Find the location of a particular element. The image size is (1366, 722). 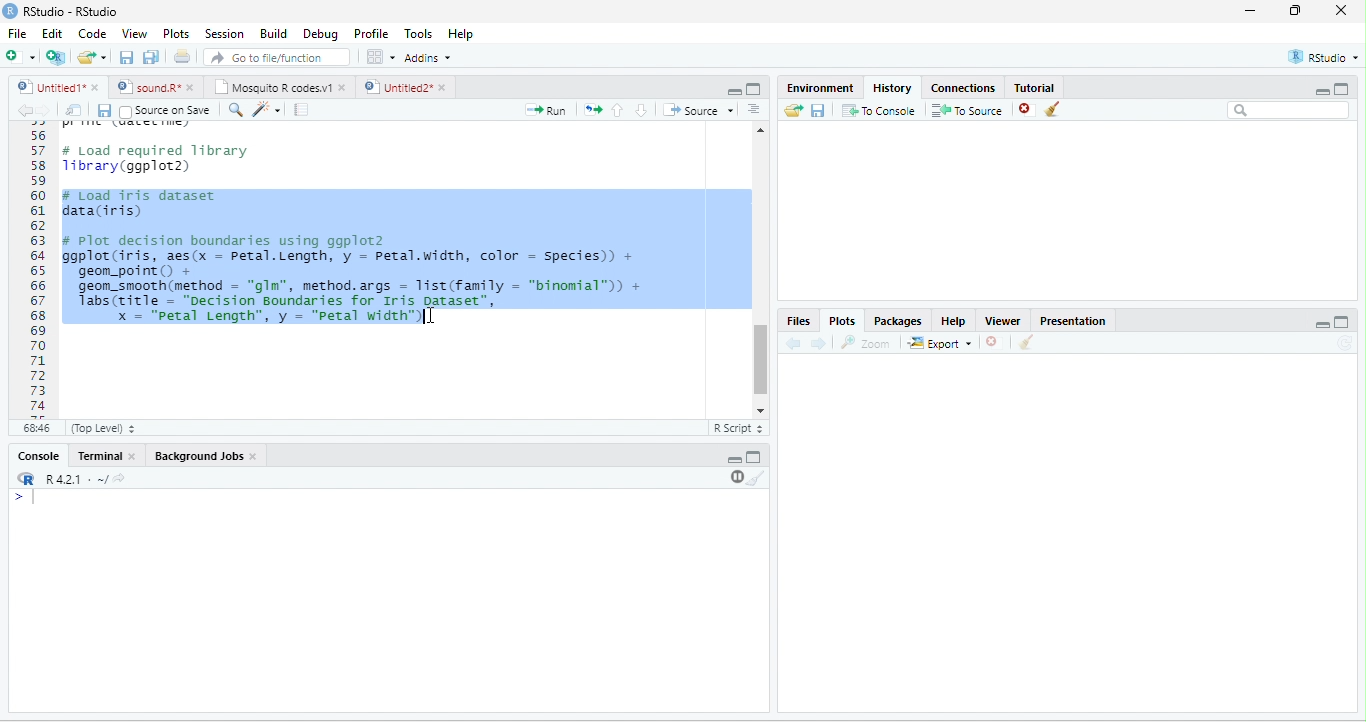

minimize is located at coordinates (1251, 10).